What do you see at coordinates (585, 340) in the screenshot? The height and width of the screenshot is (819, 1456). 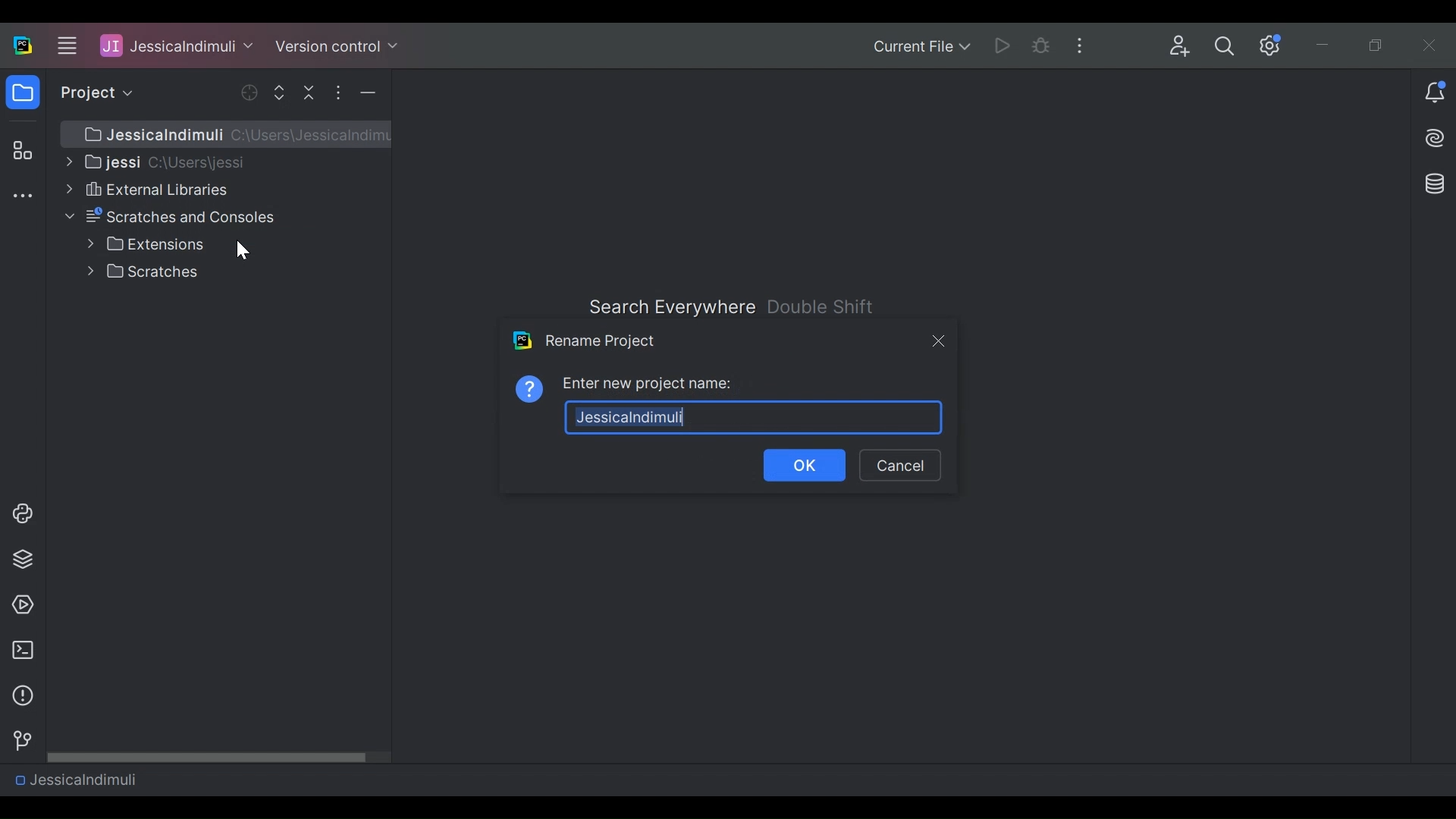 I see `Rename Project` at bounding box center [585, 340].